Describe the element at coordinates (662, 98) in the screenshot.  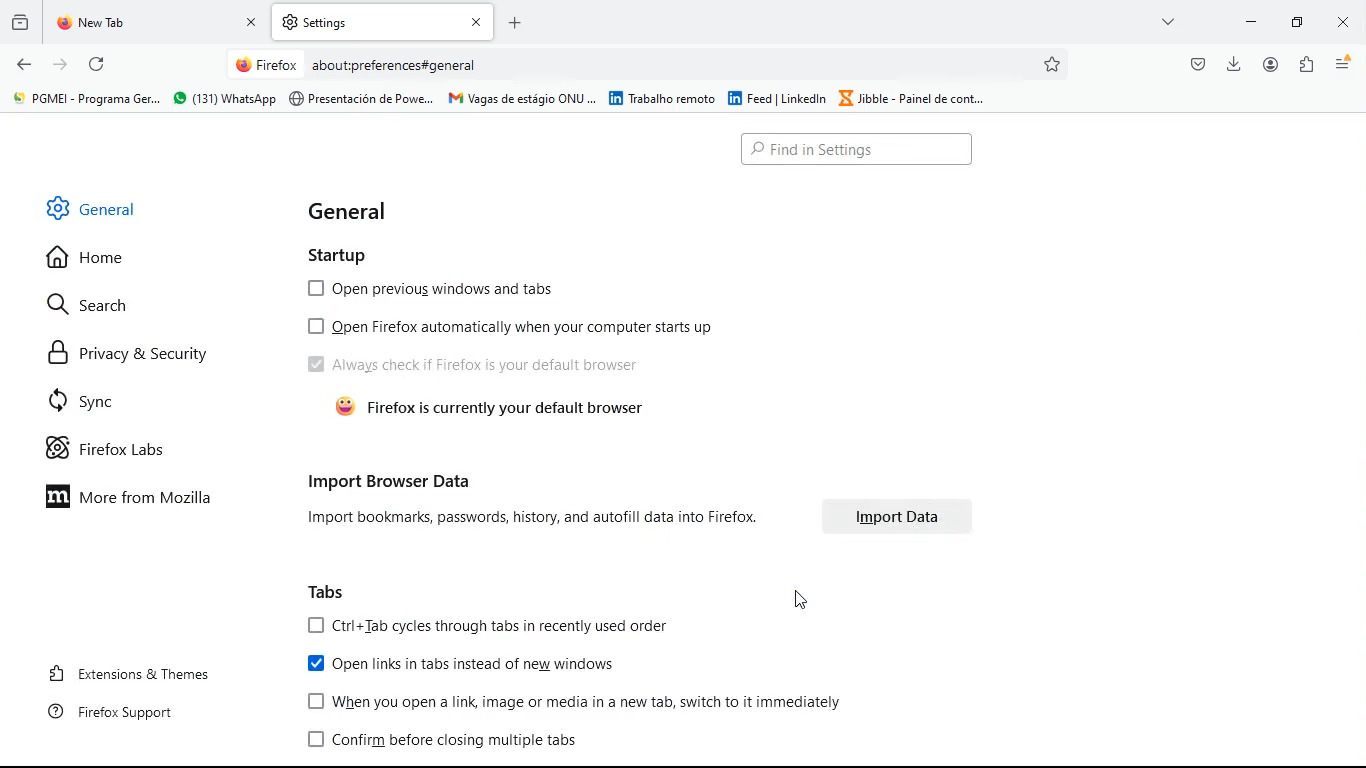
I see `| Trabalho remoto` at that location.